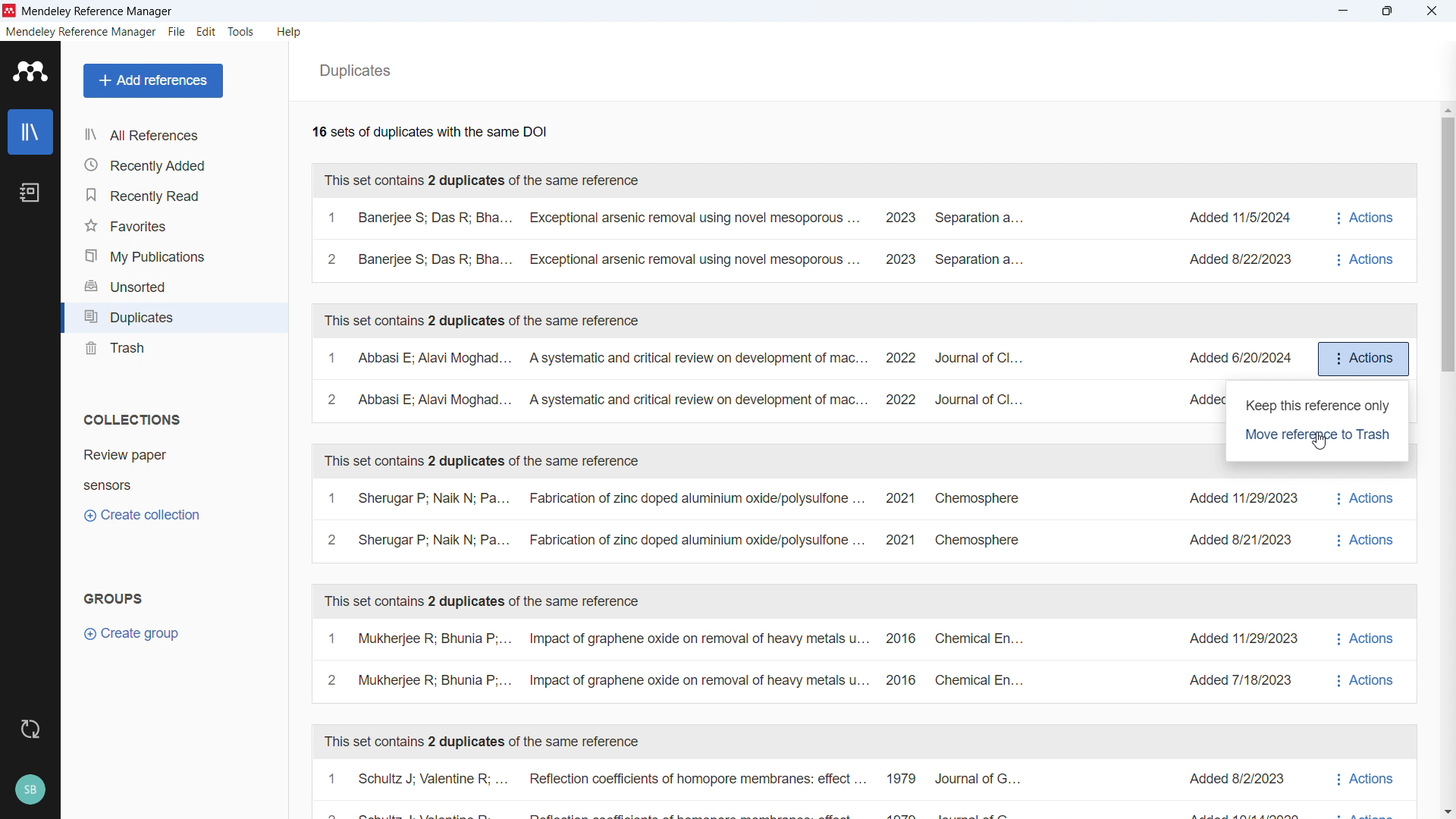 The height and width of the screenshot is (819, 1456). I want to click on actions, so click(1367, 790).